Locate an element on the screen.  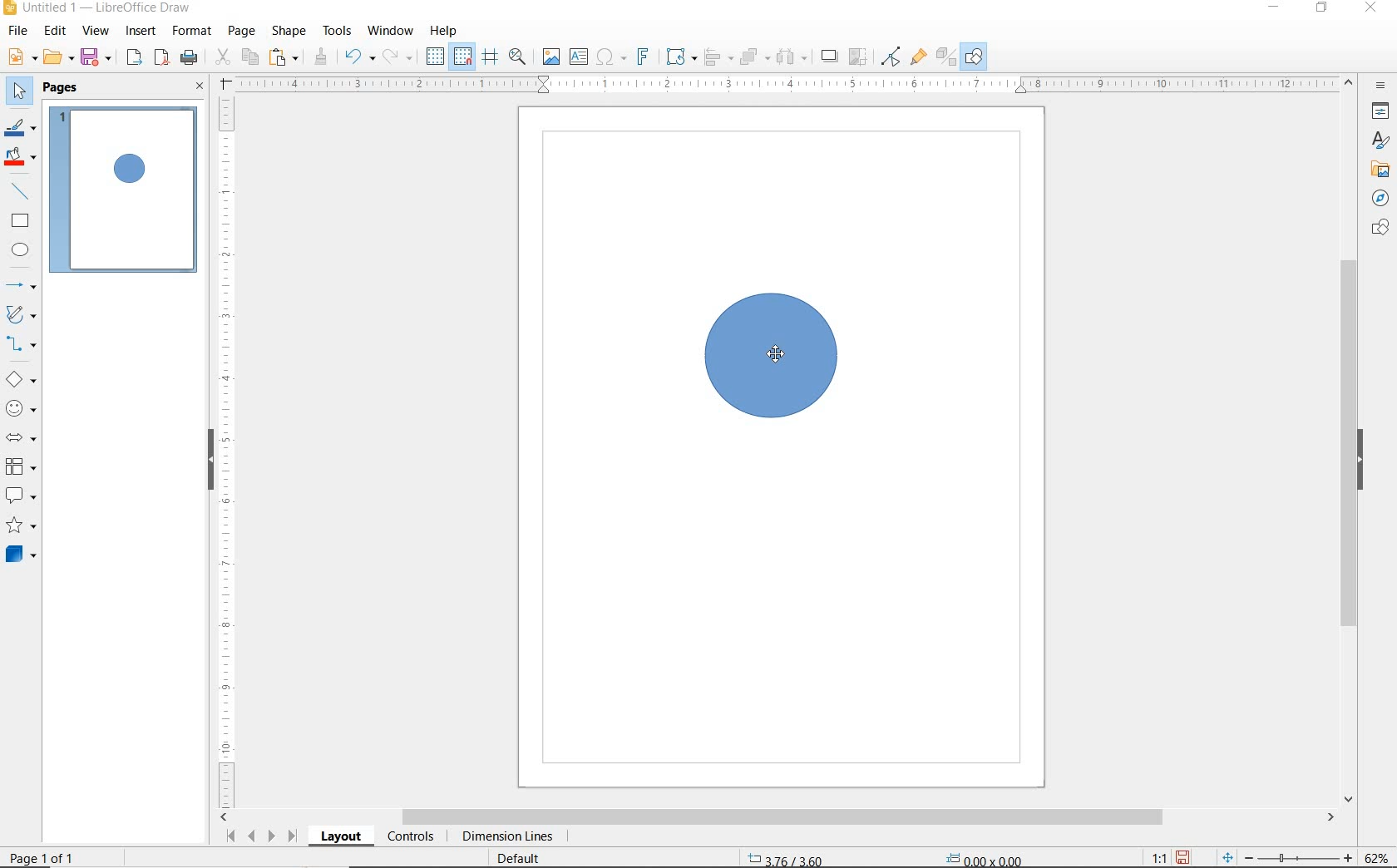
STARS AND BANNERS is located at coordinates (21, 526).